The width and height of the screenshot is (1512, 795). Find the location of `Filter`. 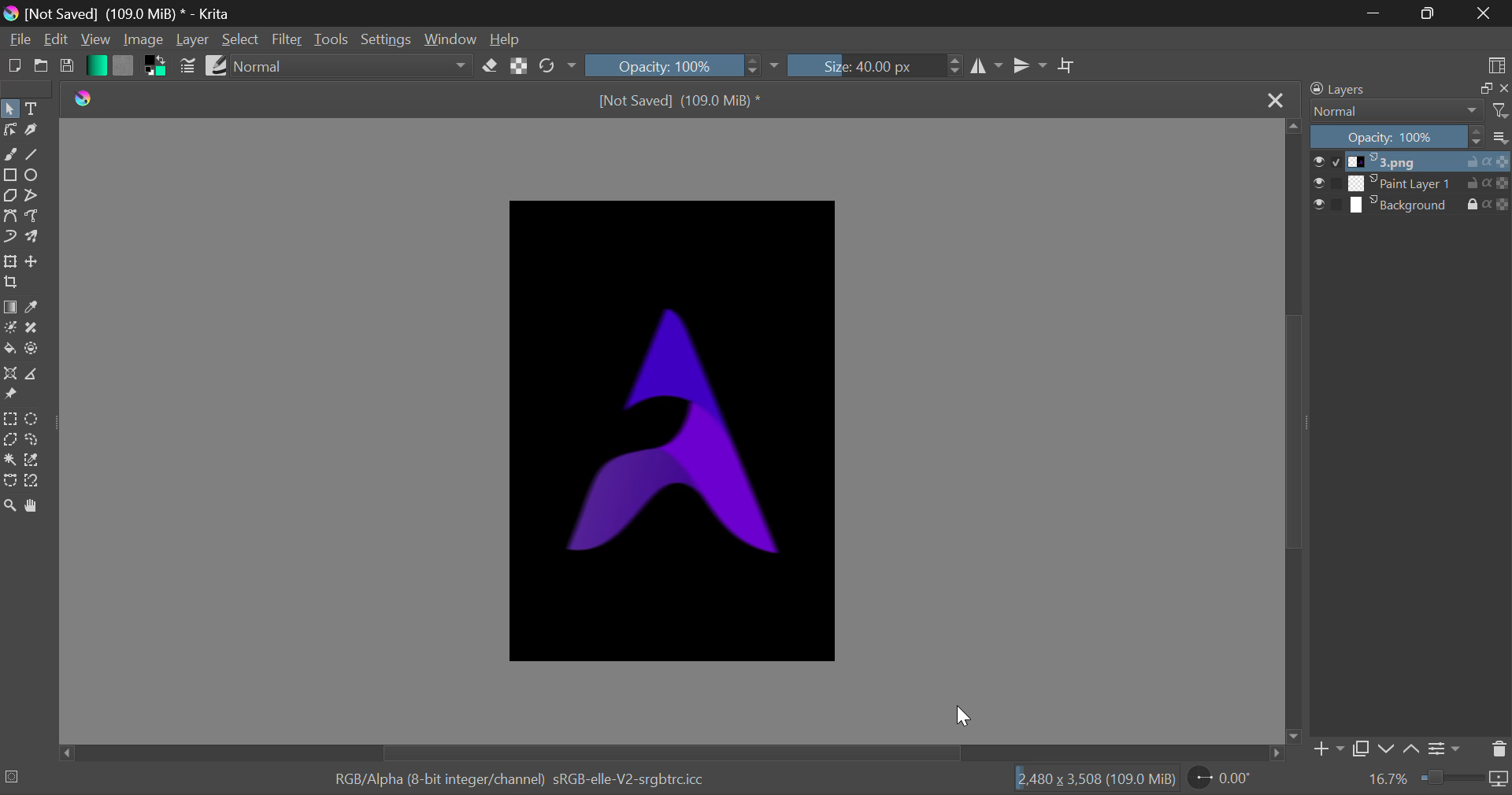

Filter is located at coordinates (287, 40).